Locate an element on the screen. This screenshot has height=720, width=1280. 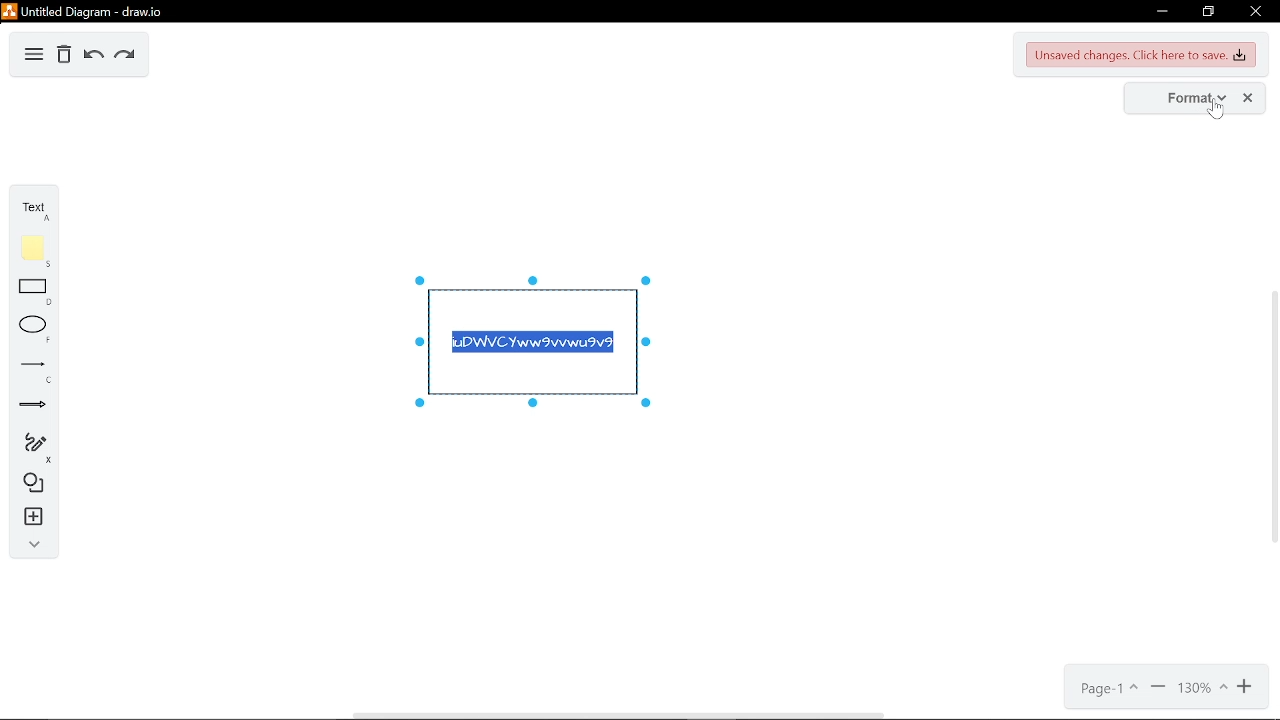
restore down is located at coordinates (1208, 13).